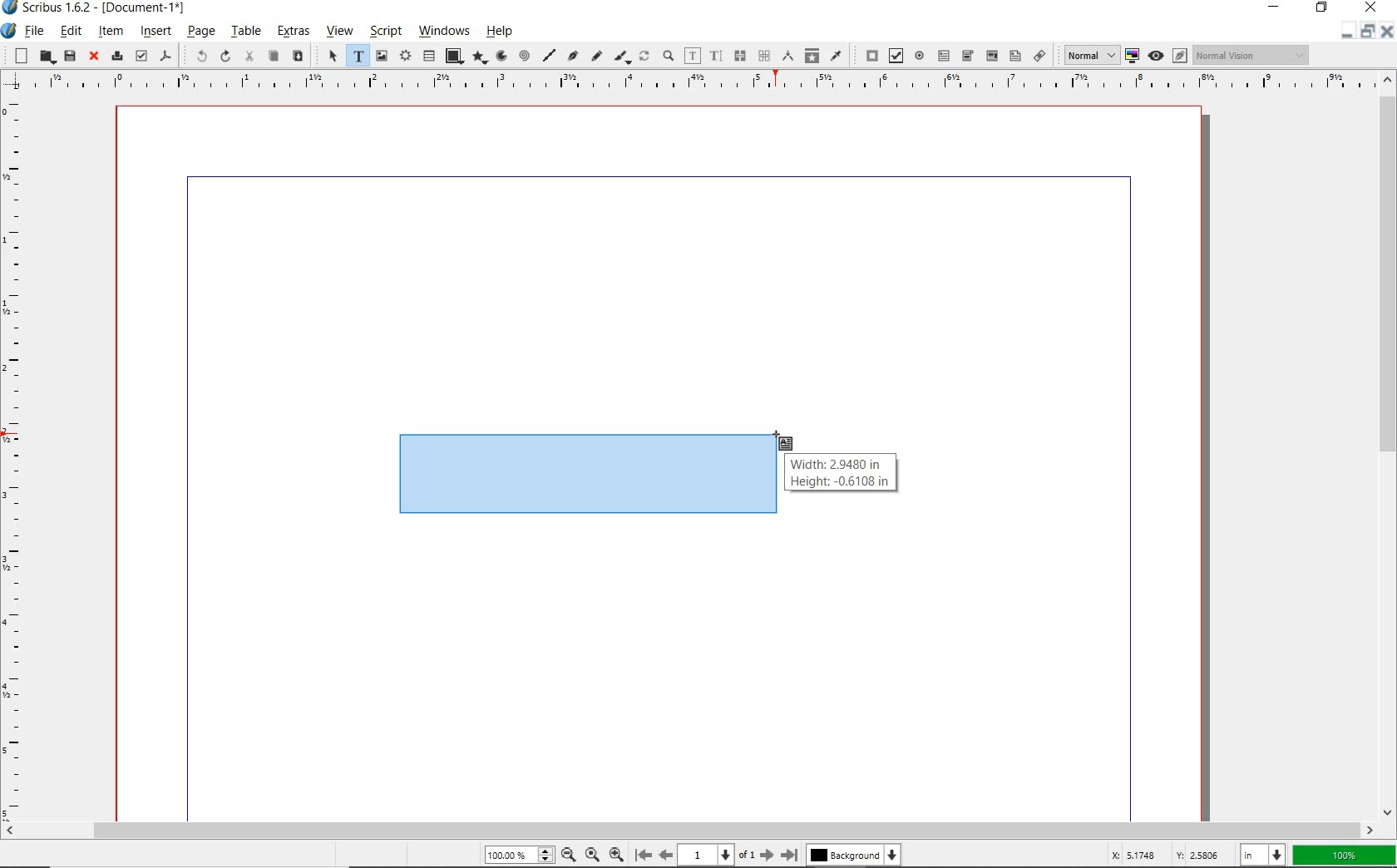  Describe the element at coordinates (293, 33) in the screenshot. I see `extras` at that location.